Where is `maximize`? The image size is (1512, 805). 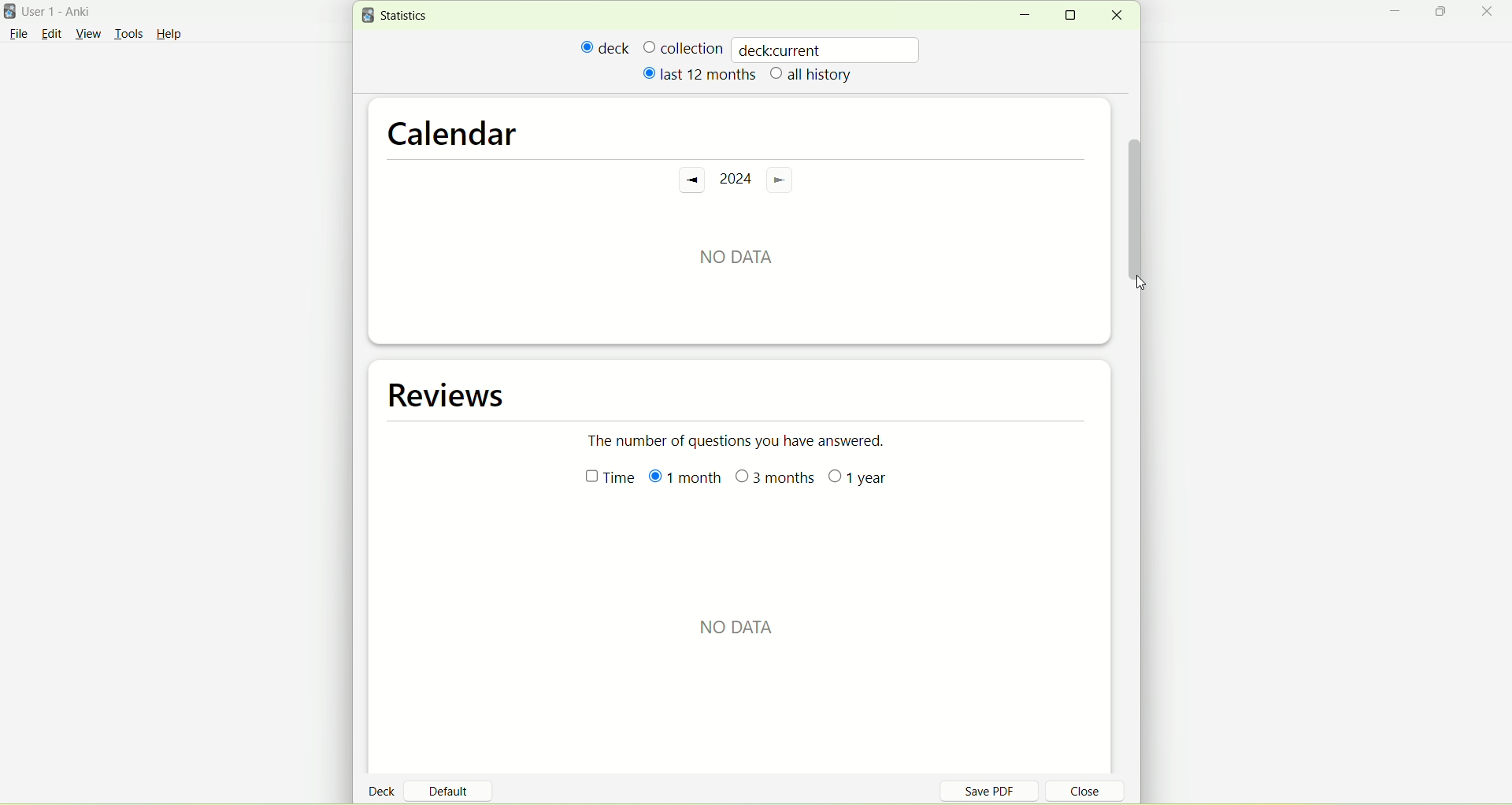 maximize is located at coordinates (1443, 14).